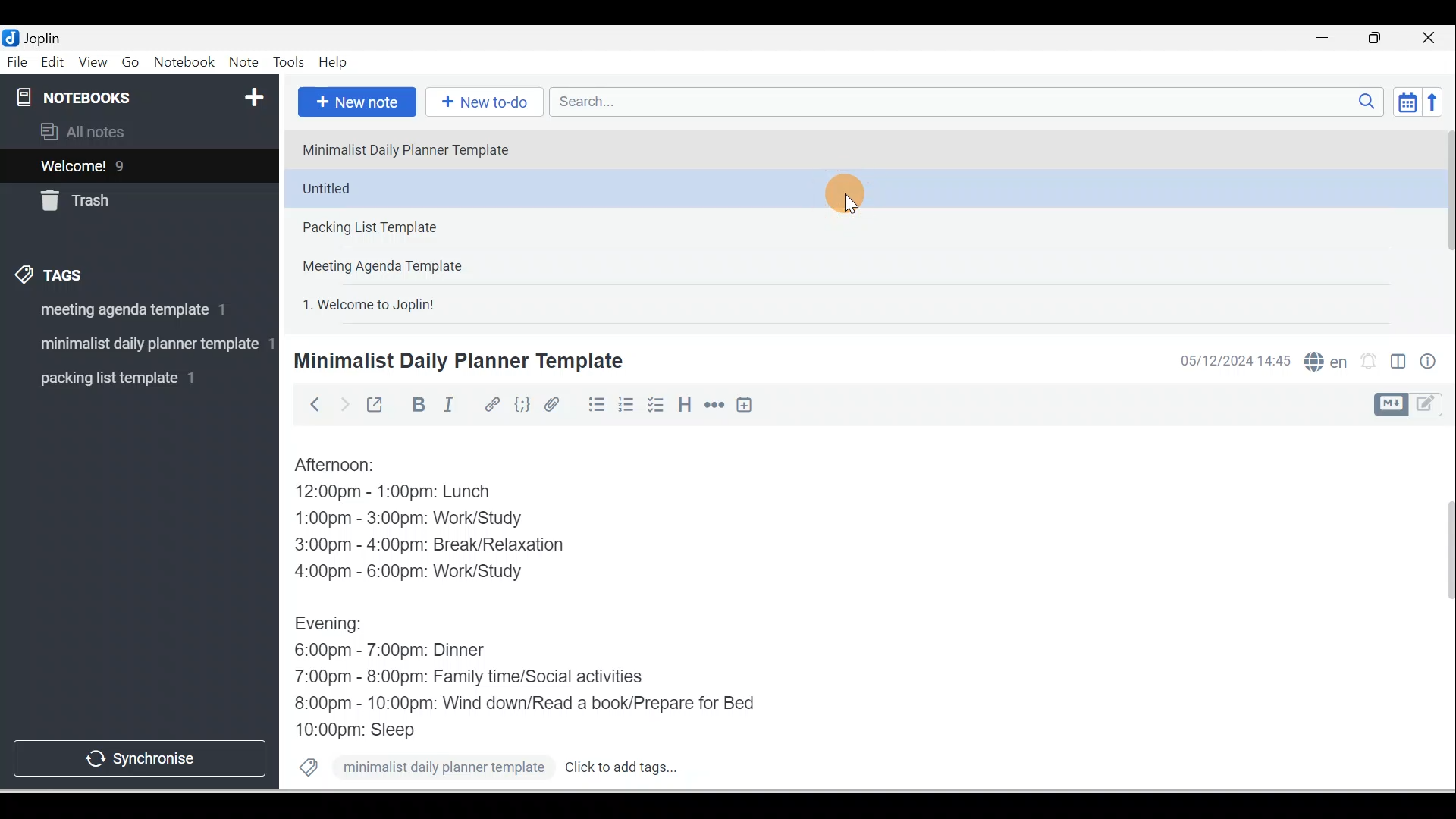 This screenshot has height=819, width=1456. I want to click on Notebooks, so click(143, 94).